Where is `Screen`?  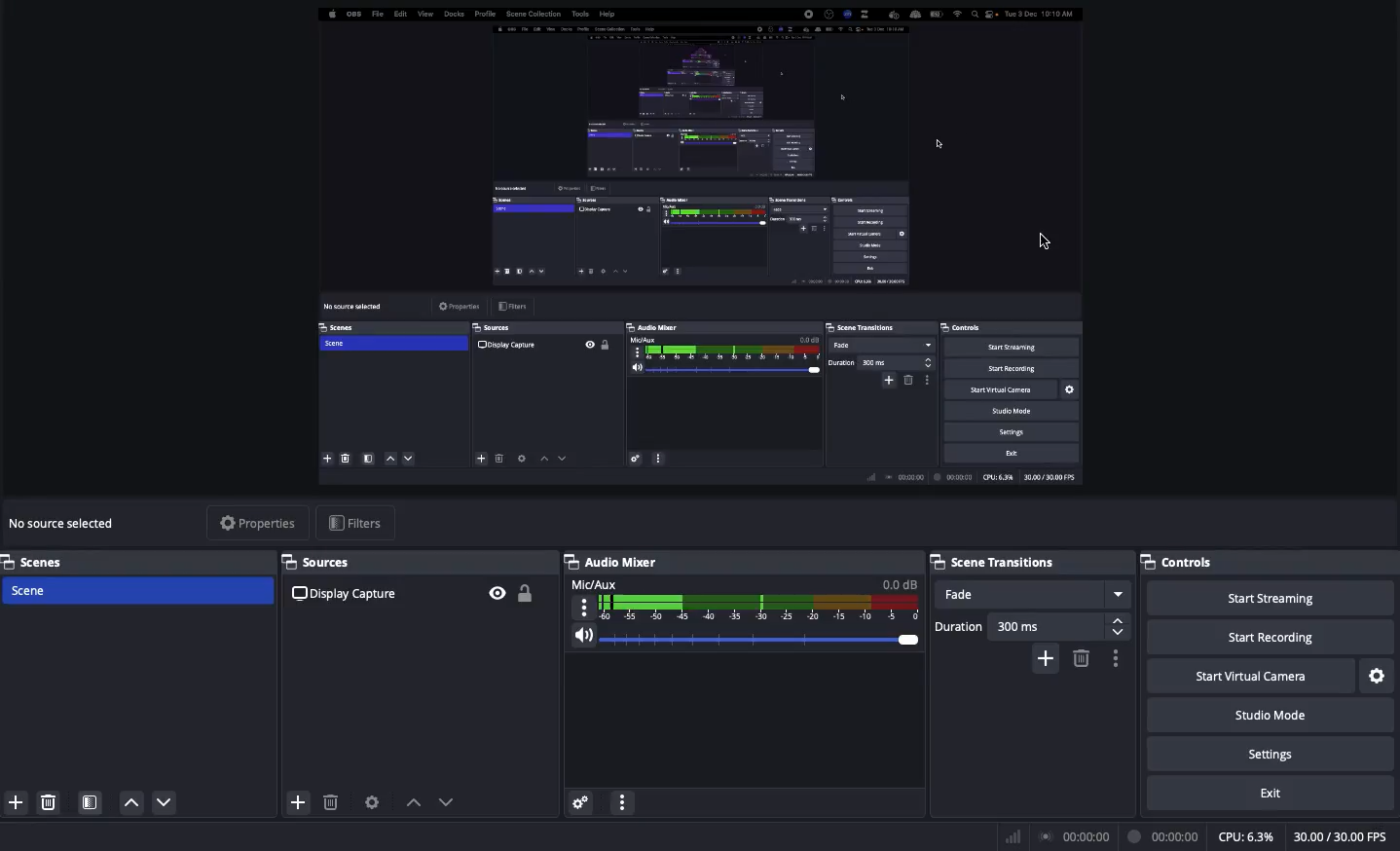
Screen is located at coordinates (703, 250).